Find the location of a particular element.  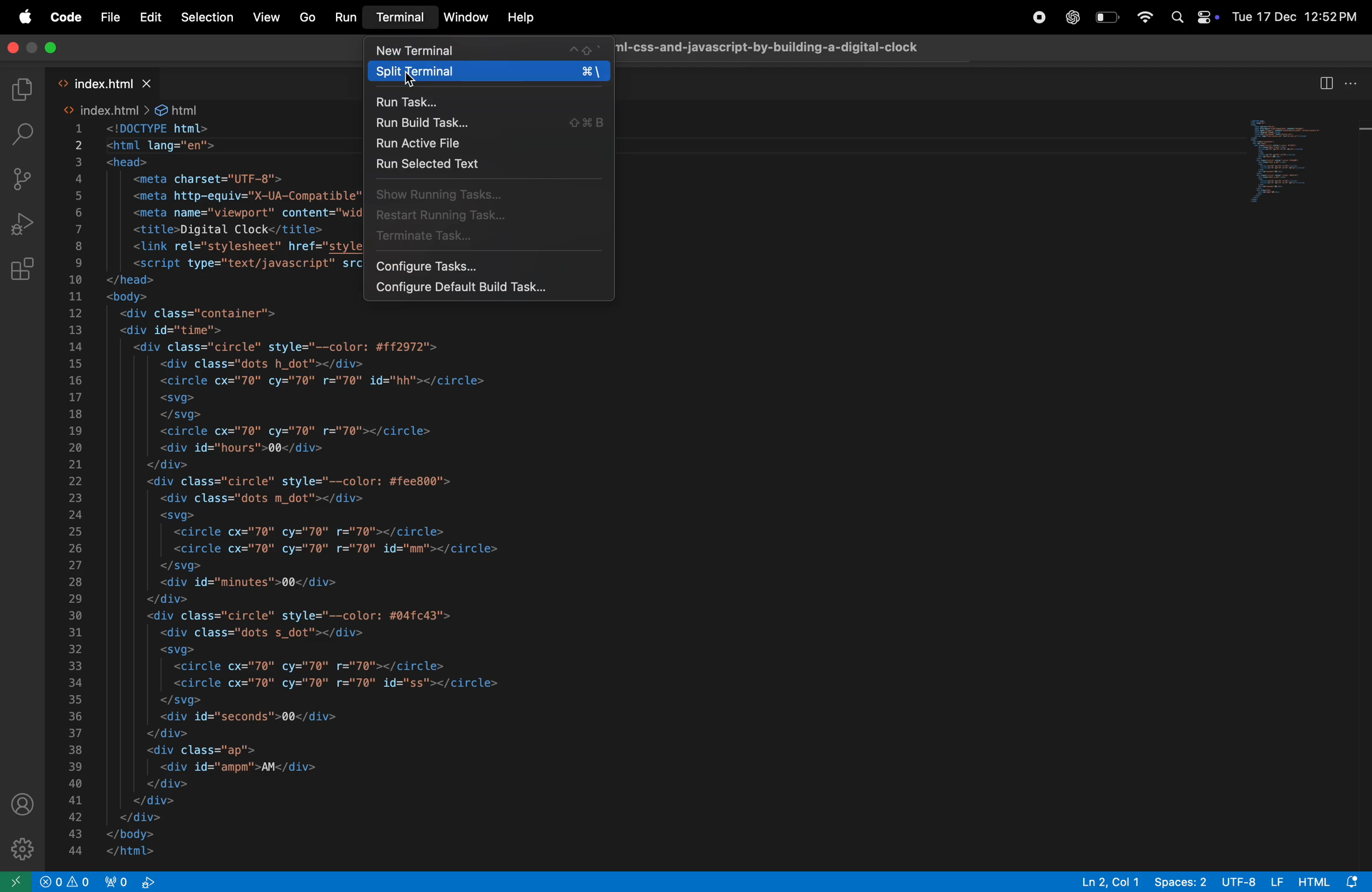

code is located at coordinates (63, 17).